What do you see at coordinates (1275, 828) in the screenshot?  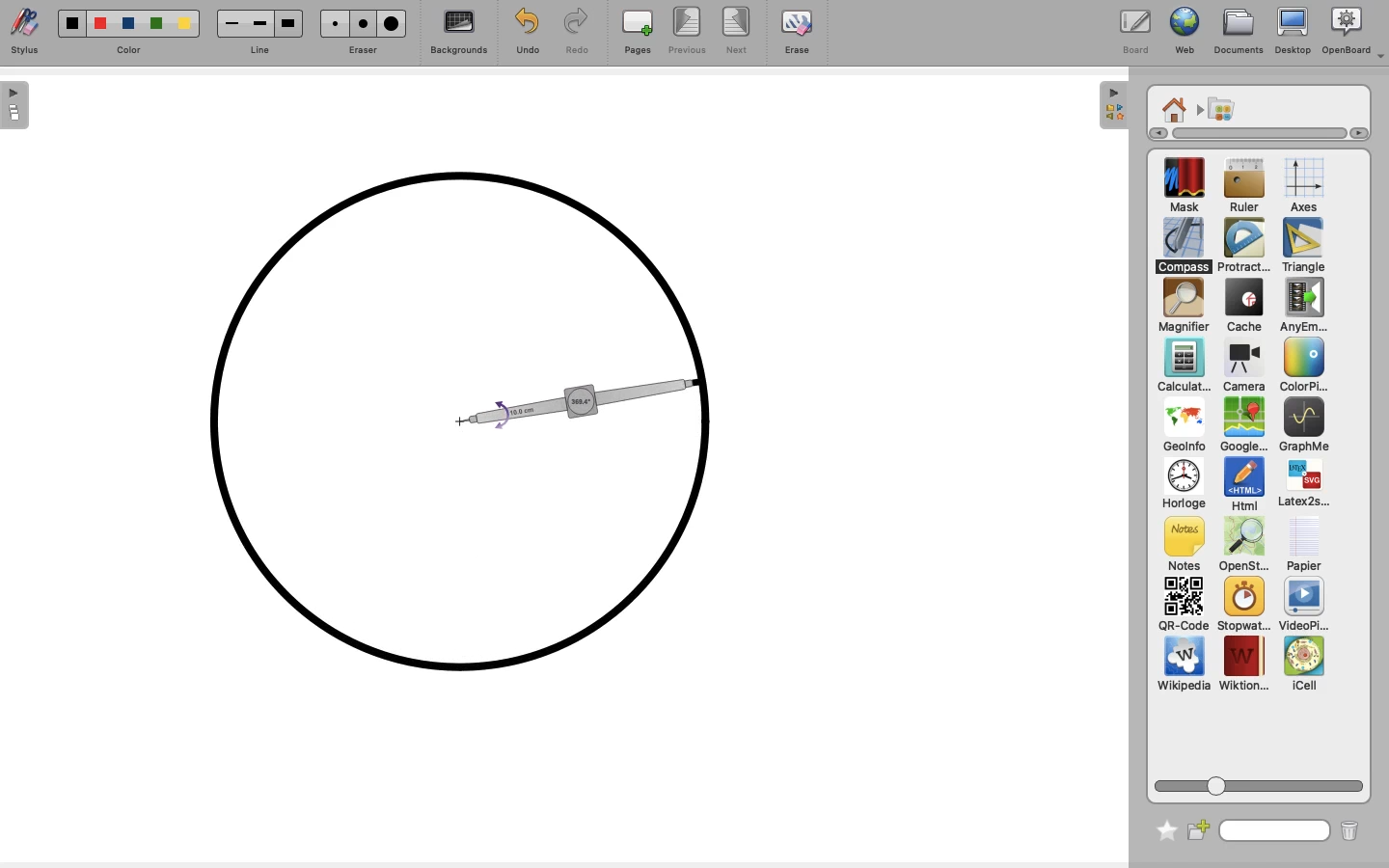 I see `Search` at bounding box center [1275, 828].